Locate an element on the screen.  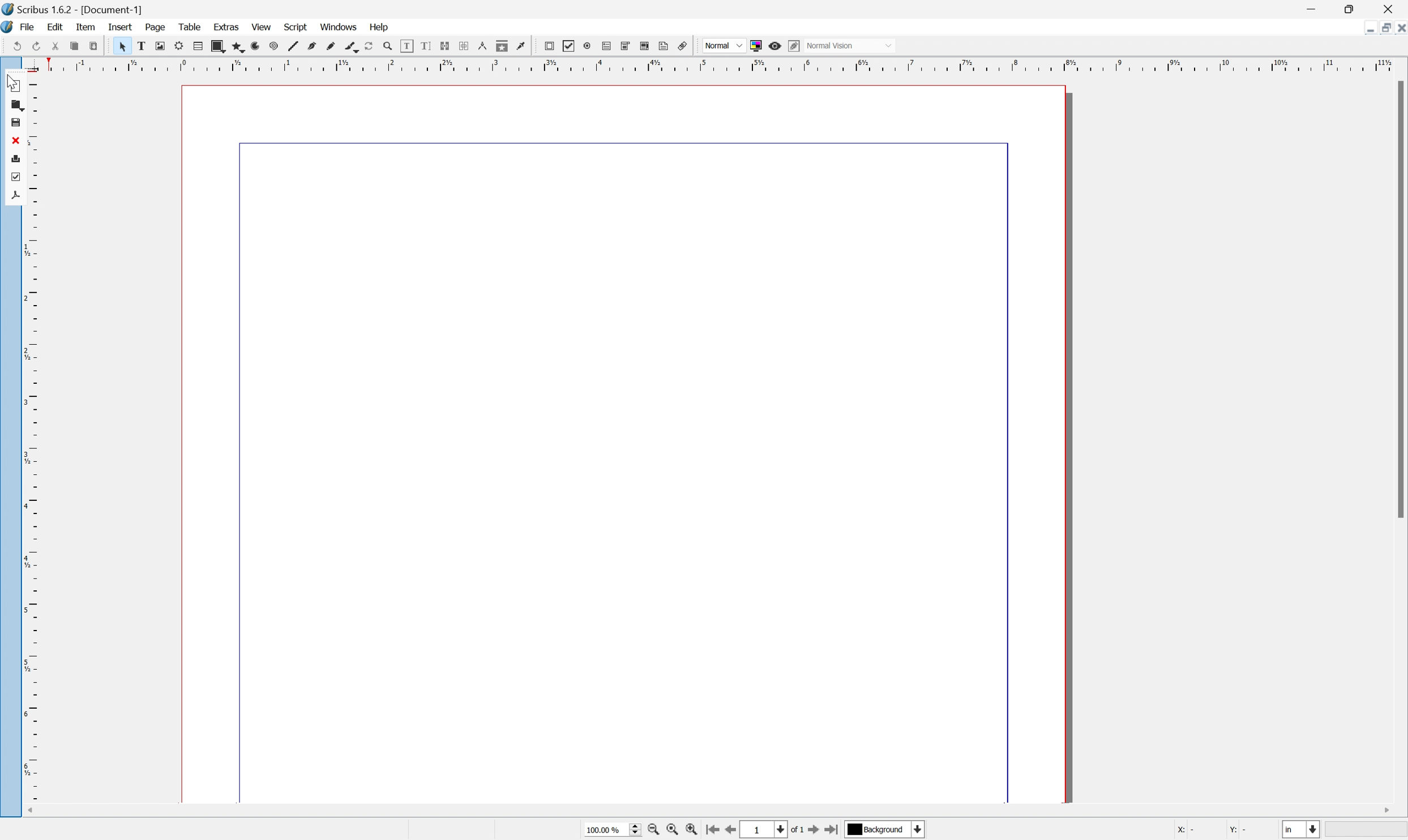
open is located at coordinates (15, 106).